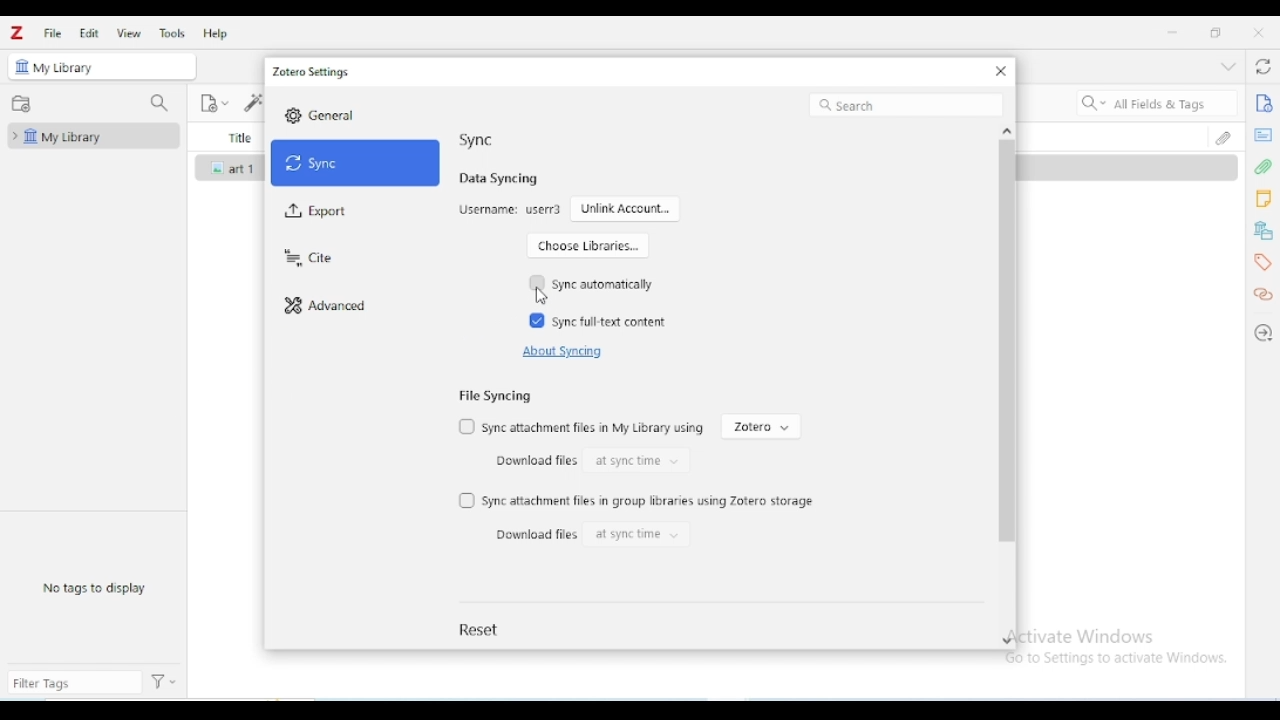  What do you see at coordinates (560, 352) in the screenshot?
I see `about syncing` at bounding box center [560, 352].